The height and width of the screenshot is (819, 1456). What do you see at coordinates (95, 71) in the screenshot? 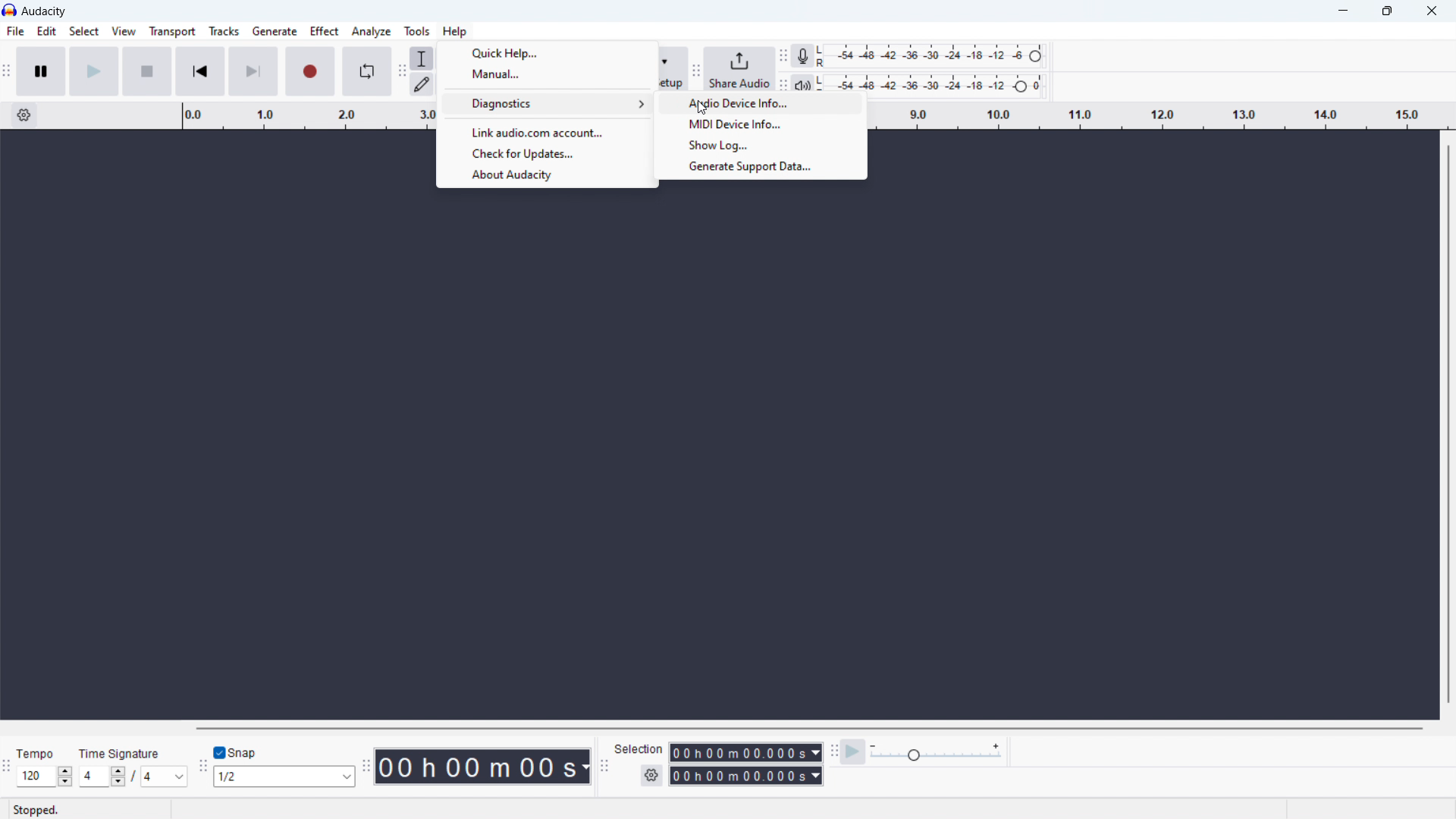
I see `play` at bounding box center [95, 71].